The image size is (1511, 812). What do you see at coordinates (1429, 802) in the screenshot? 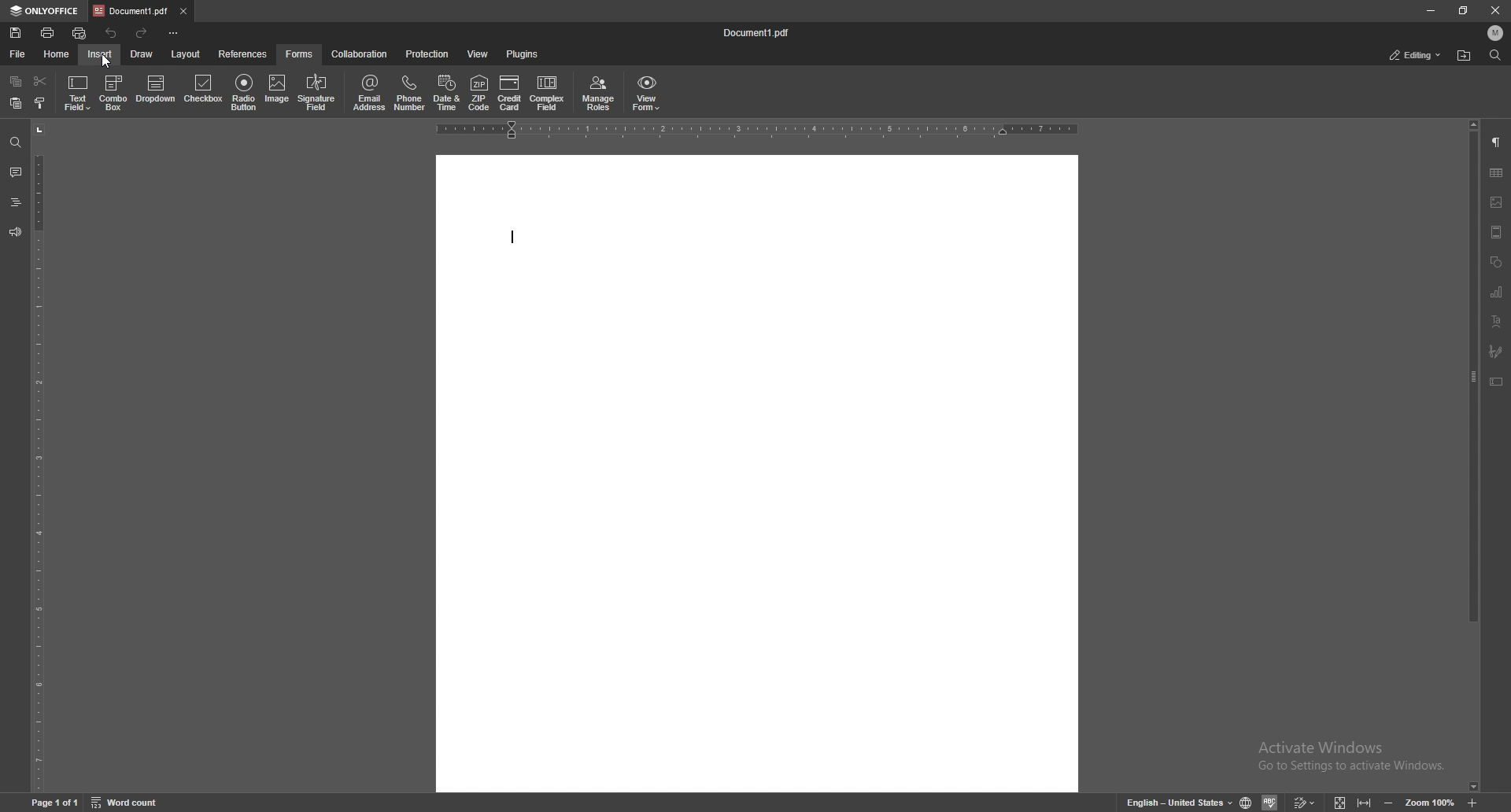
I see `zoom` at bounding box center [1429, 802].